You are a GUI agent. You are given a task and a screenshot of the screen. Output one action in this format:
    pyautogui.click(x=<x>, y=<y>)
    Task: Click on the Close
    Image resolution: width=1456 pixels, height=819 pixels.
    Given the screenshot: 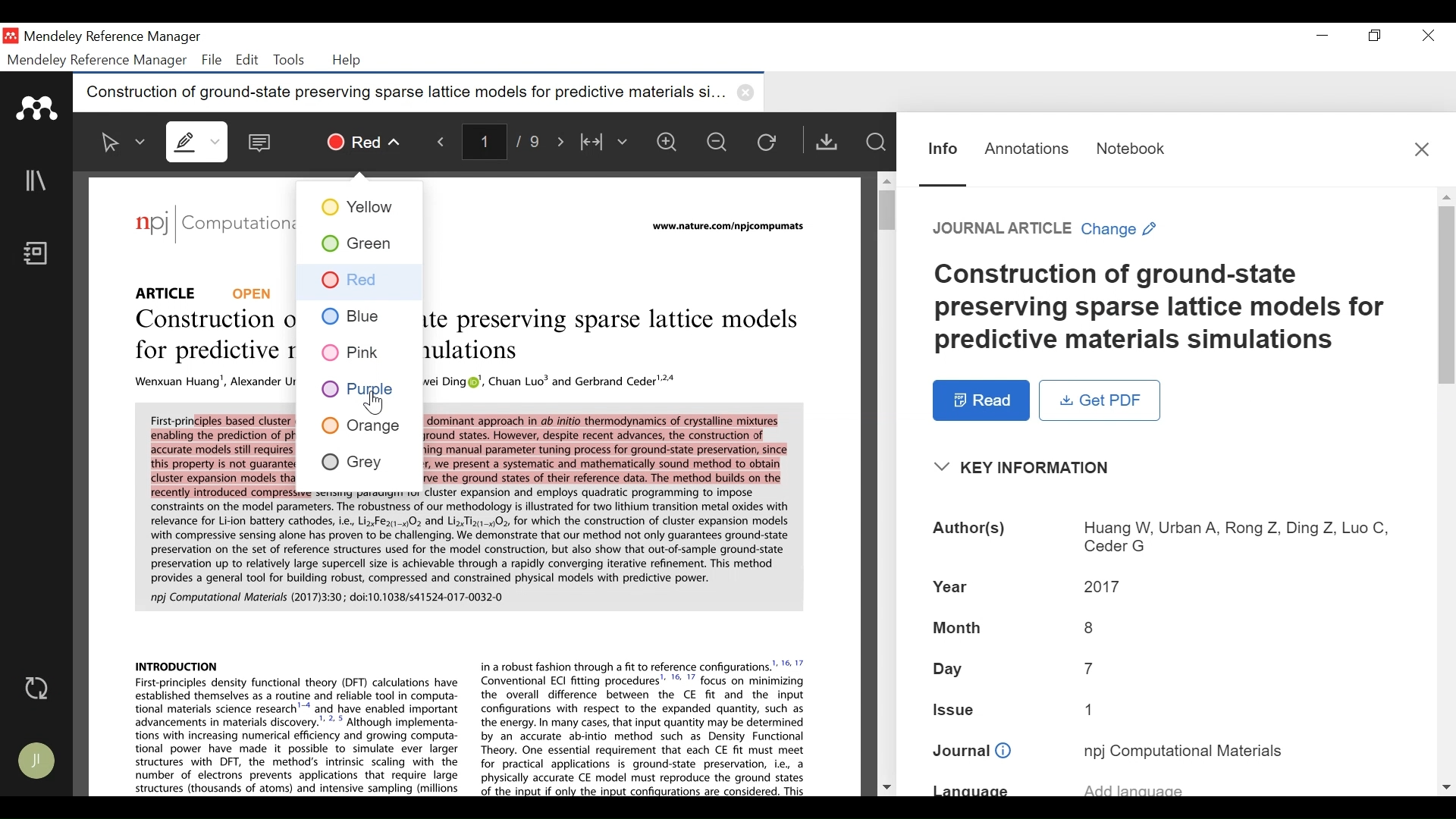 What is the action you would take?
    pyautogui.click(x=1429, y=36)
    